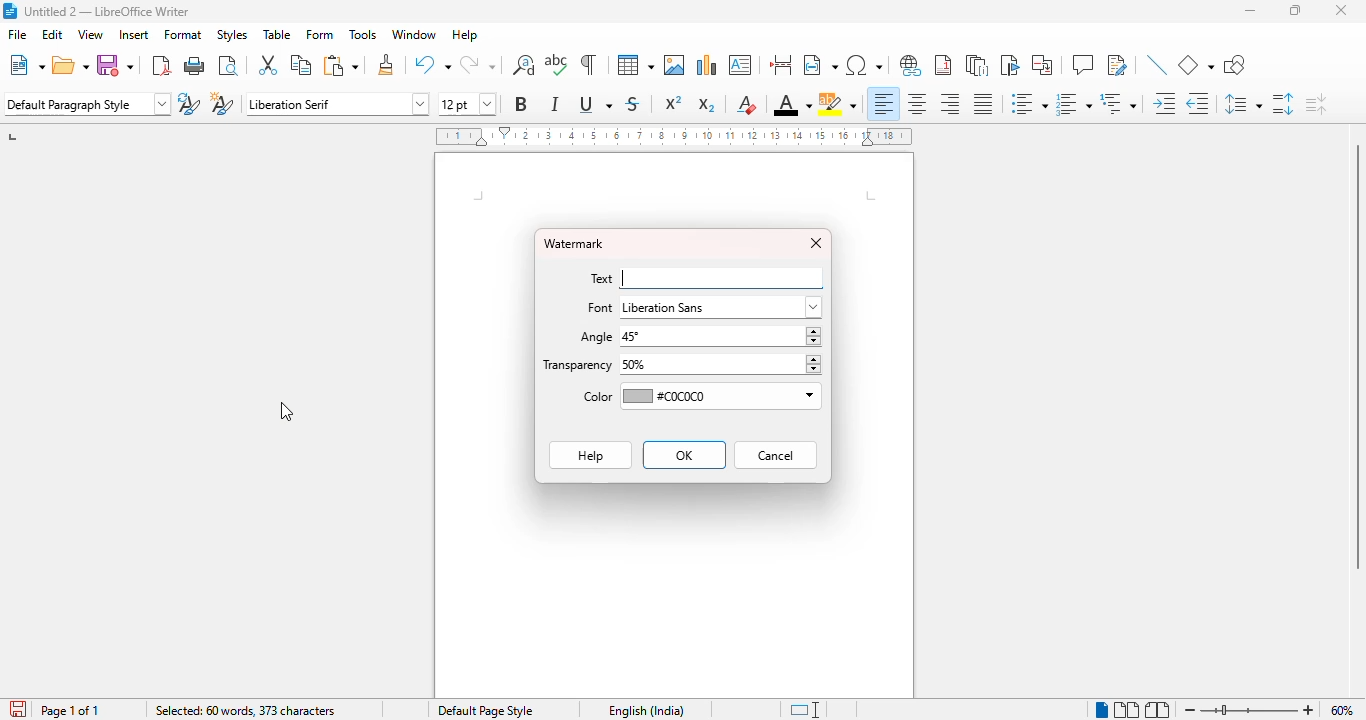 The width and height of the screenshot is (1366, 720). I want to click on insert cross-reference, so click(1041, 65).